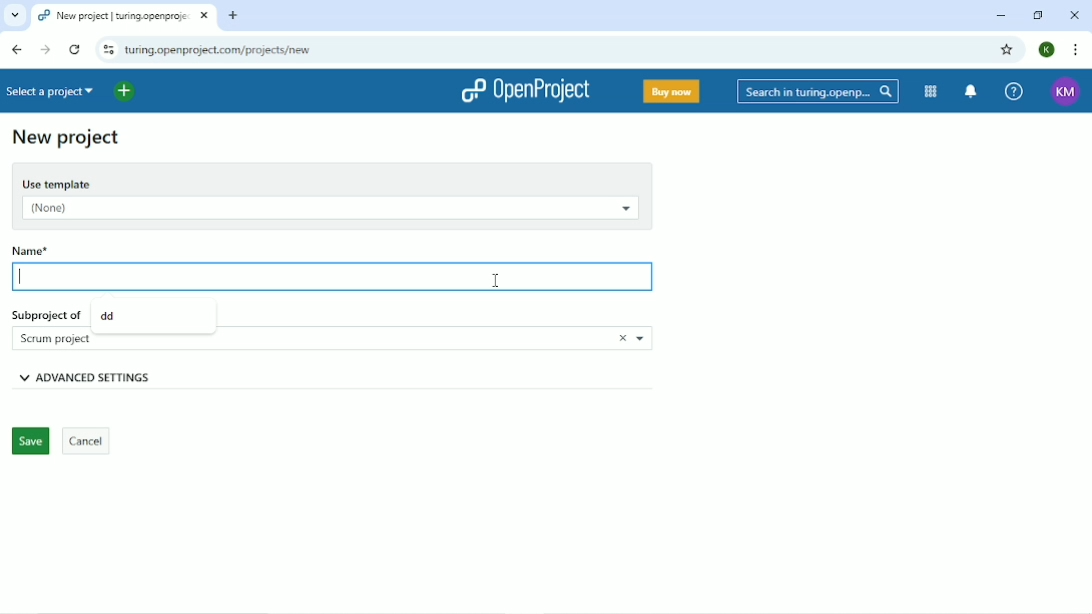  What do you see at coordinates (106, 49) in the screenshot?
I see `View site information` at bounding box center [106, 49].